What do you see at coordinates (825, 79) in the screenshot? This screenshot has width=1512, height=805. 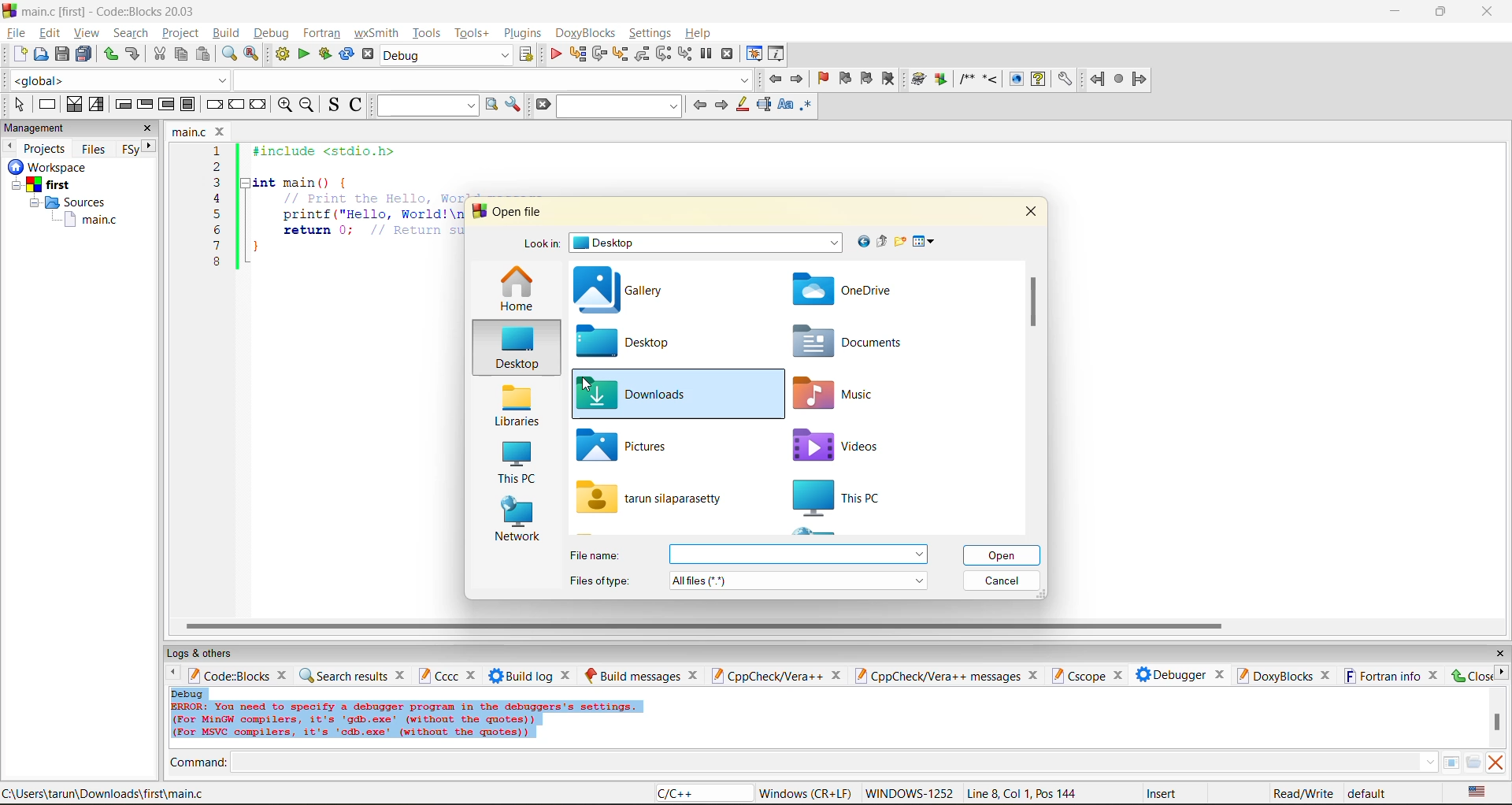 I see `toggle bookmark` at bounding box center [825, 79].